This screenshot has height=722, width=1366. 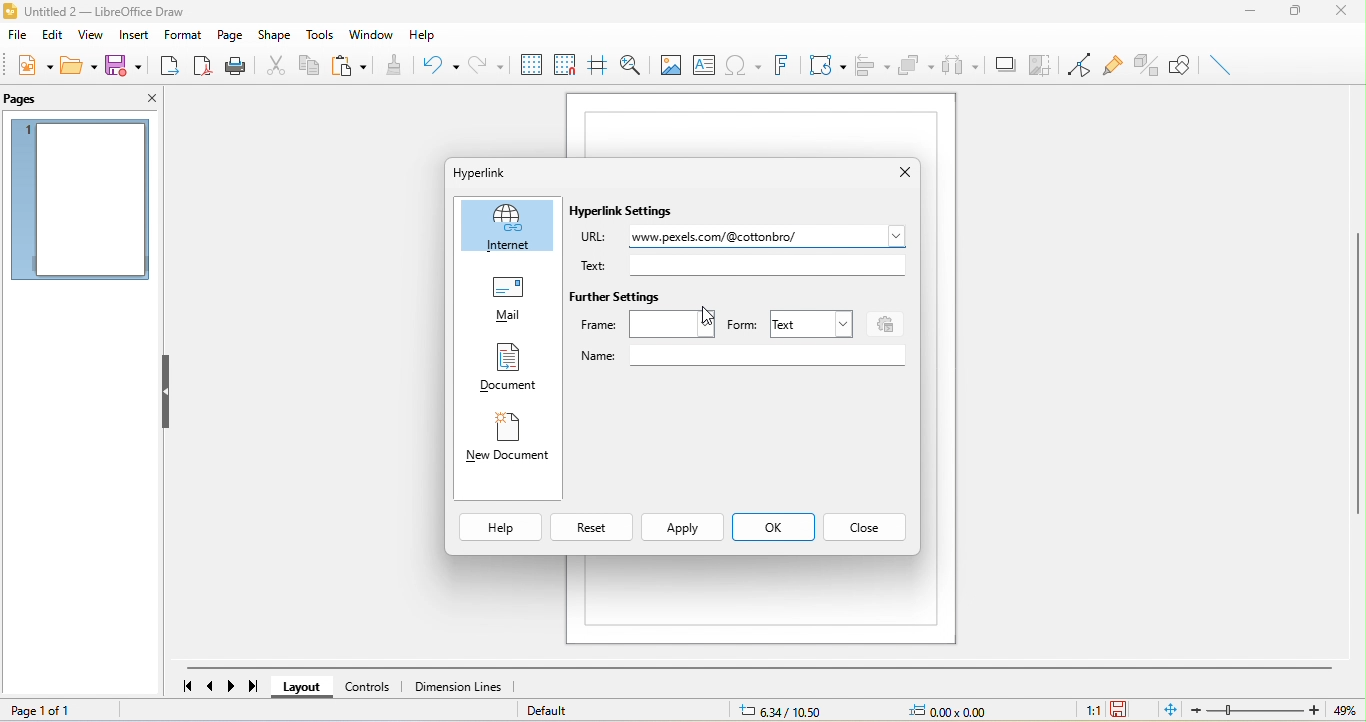 What do you see at coordinates (185, 35) in the screenshot?
I see `format` at bounding box center [185, 35].